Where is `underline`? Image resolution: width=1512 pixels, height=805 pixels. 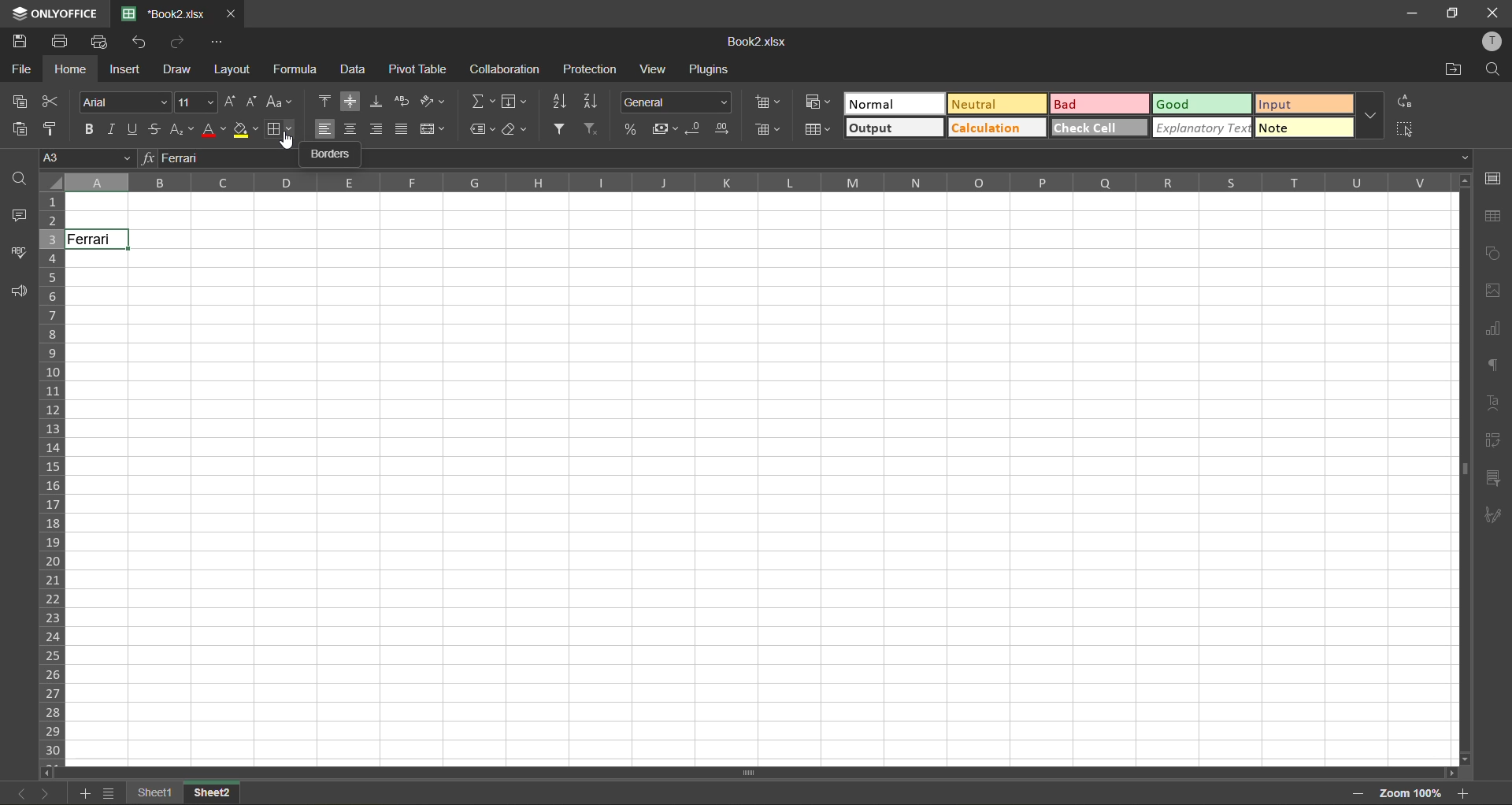
underline is located at coordinates (135, 130).